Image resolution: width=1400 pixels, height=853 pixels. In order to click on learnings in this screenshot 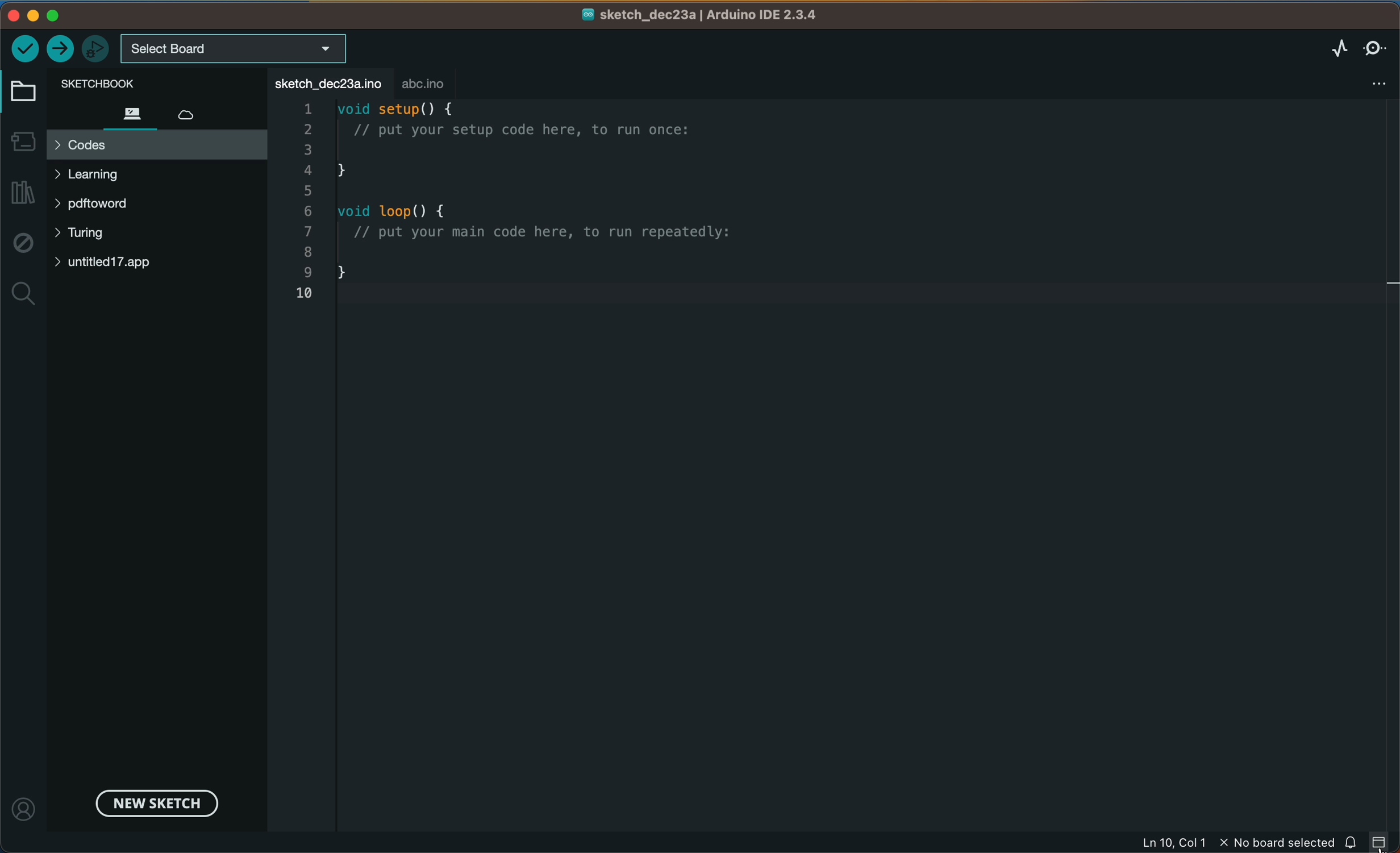, I will do `click(99, 177)`.